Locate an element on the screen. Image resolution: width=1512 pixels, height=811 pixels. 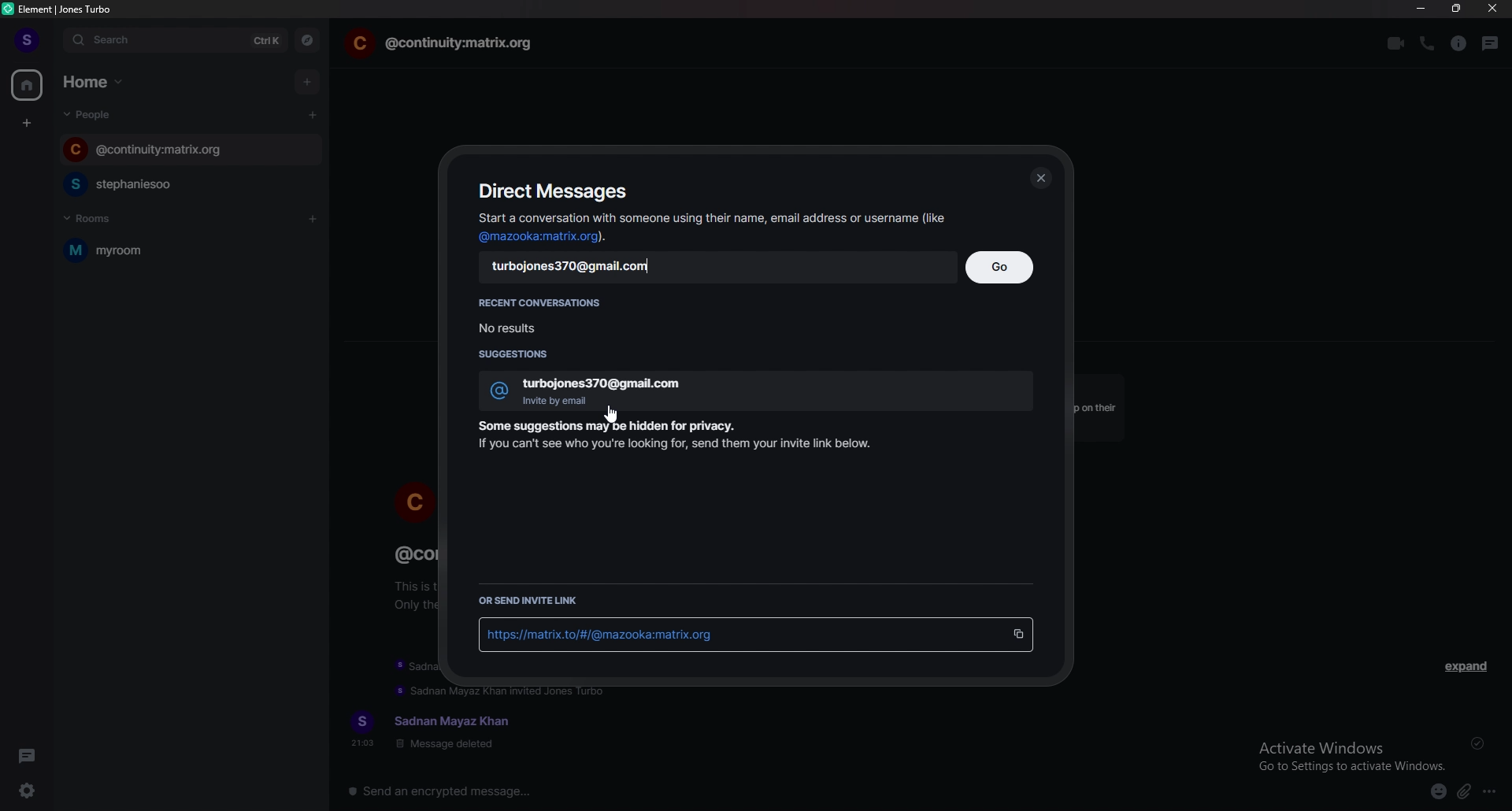
chat is located at coordinates (167, 184).